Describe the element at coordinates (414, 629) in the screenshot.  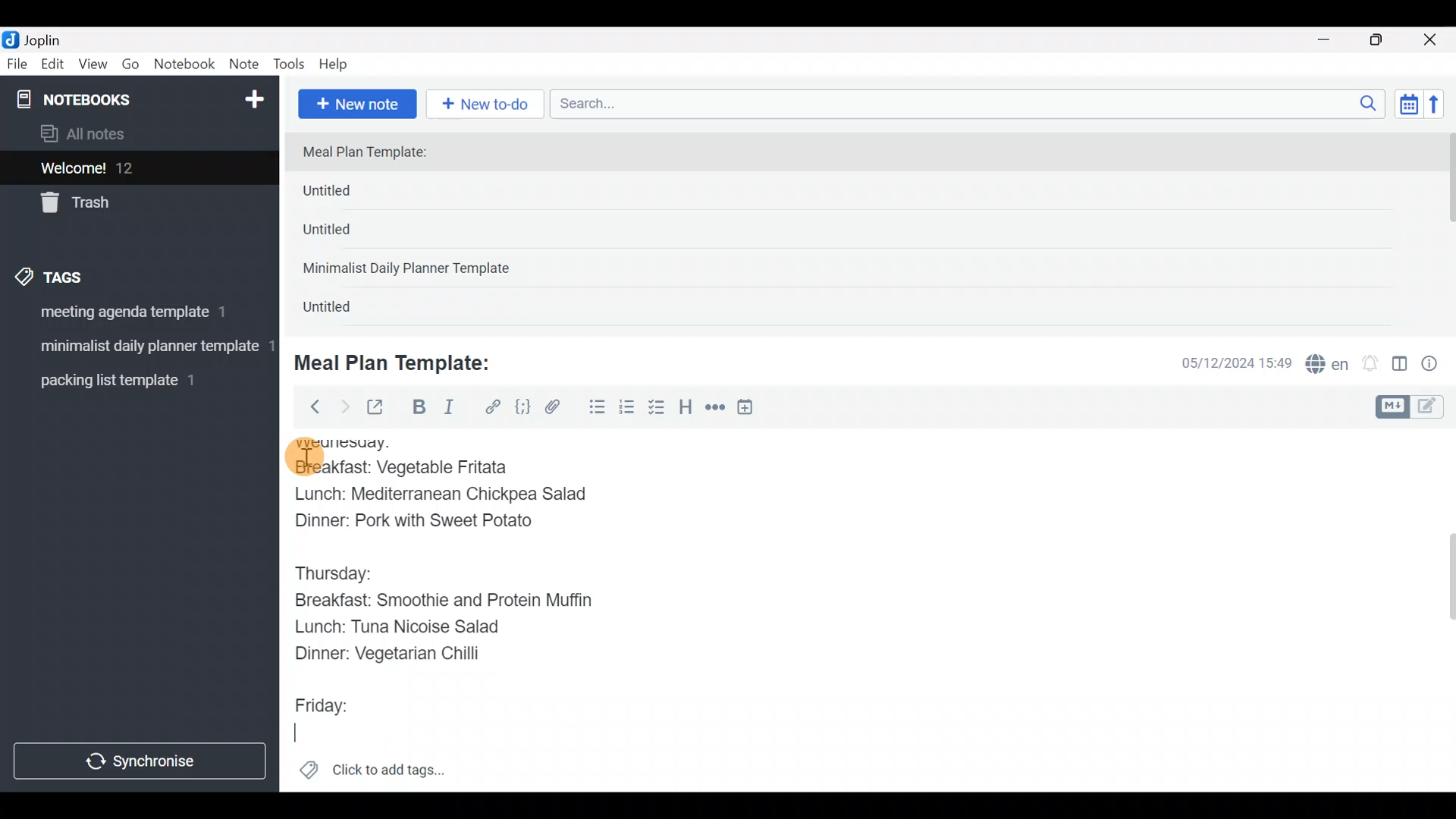
I see `Lunch: Tuna Nicoise Salad` at that location.